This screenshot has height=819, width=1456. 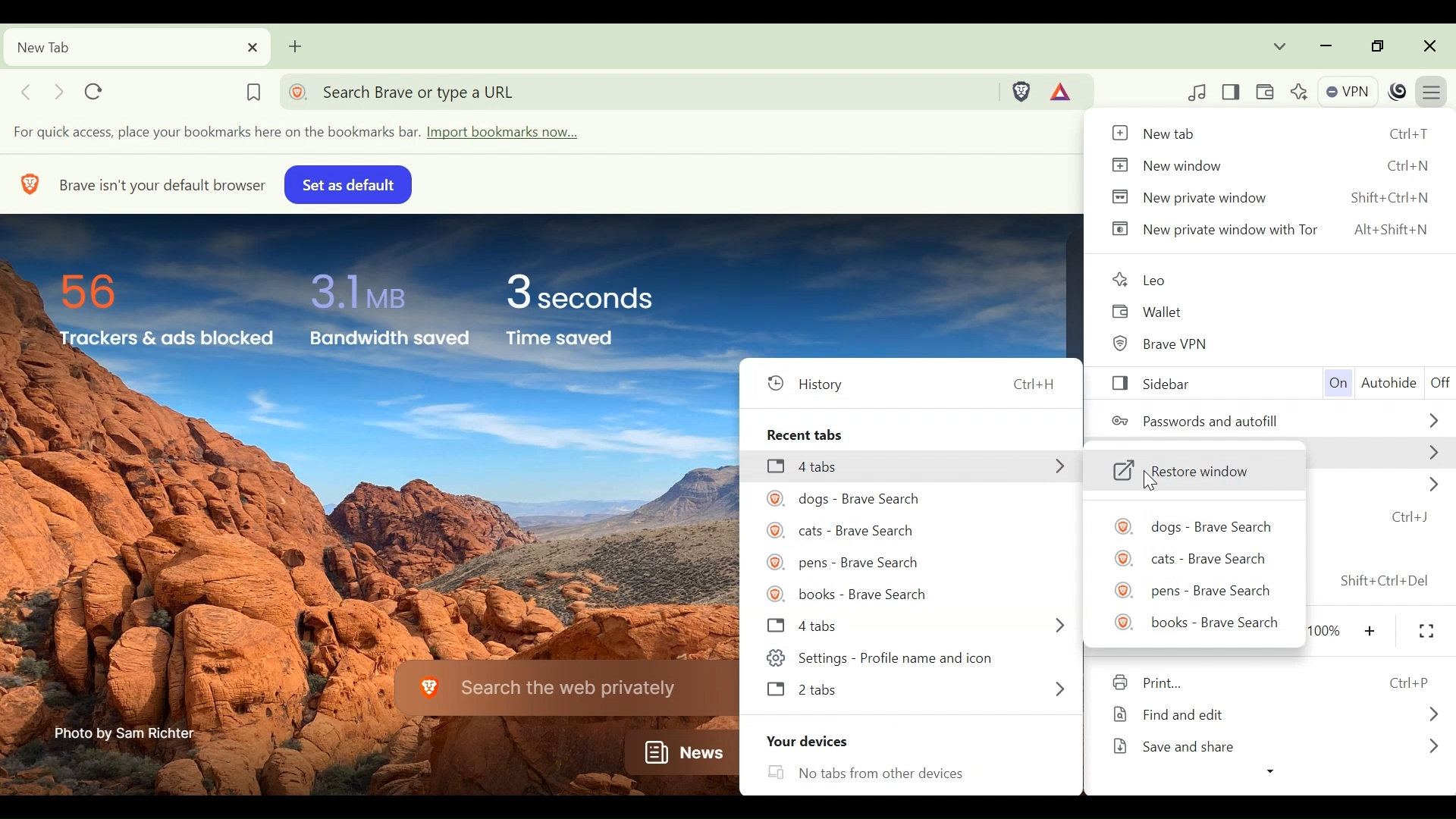 I want to click on [E New private window with Tor, so click(x=1210, y=229).